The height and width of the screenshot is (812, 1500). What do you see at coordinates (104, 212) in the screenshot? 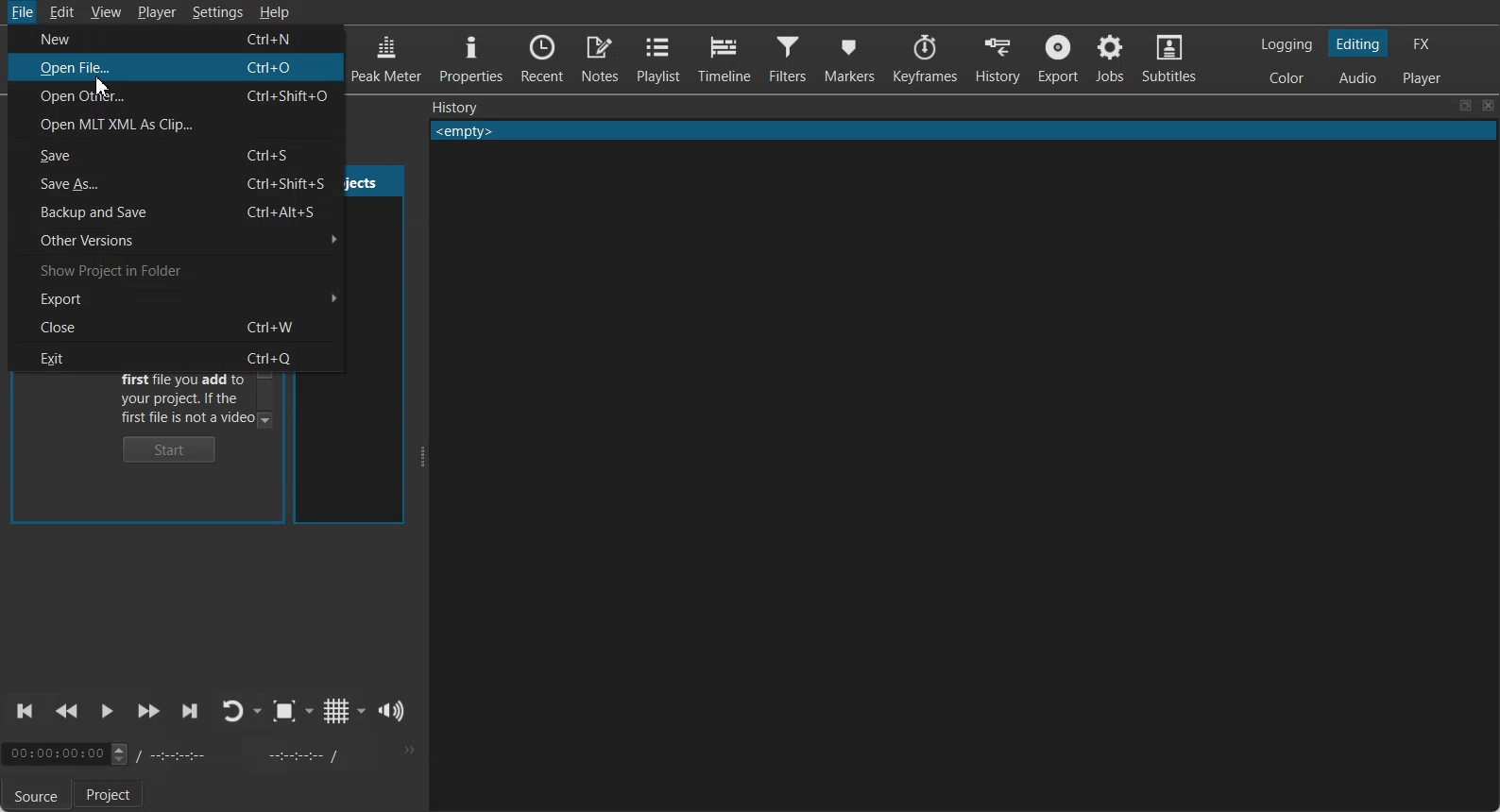
I see `Backup and Save` at bounding box center [104, 212].